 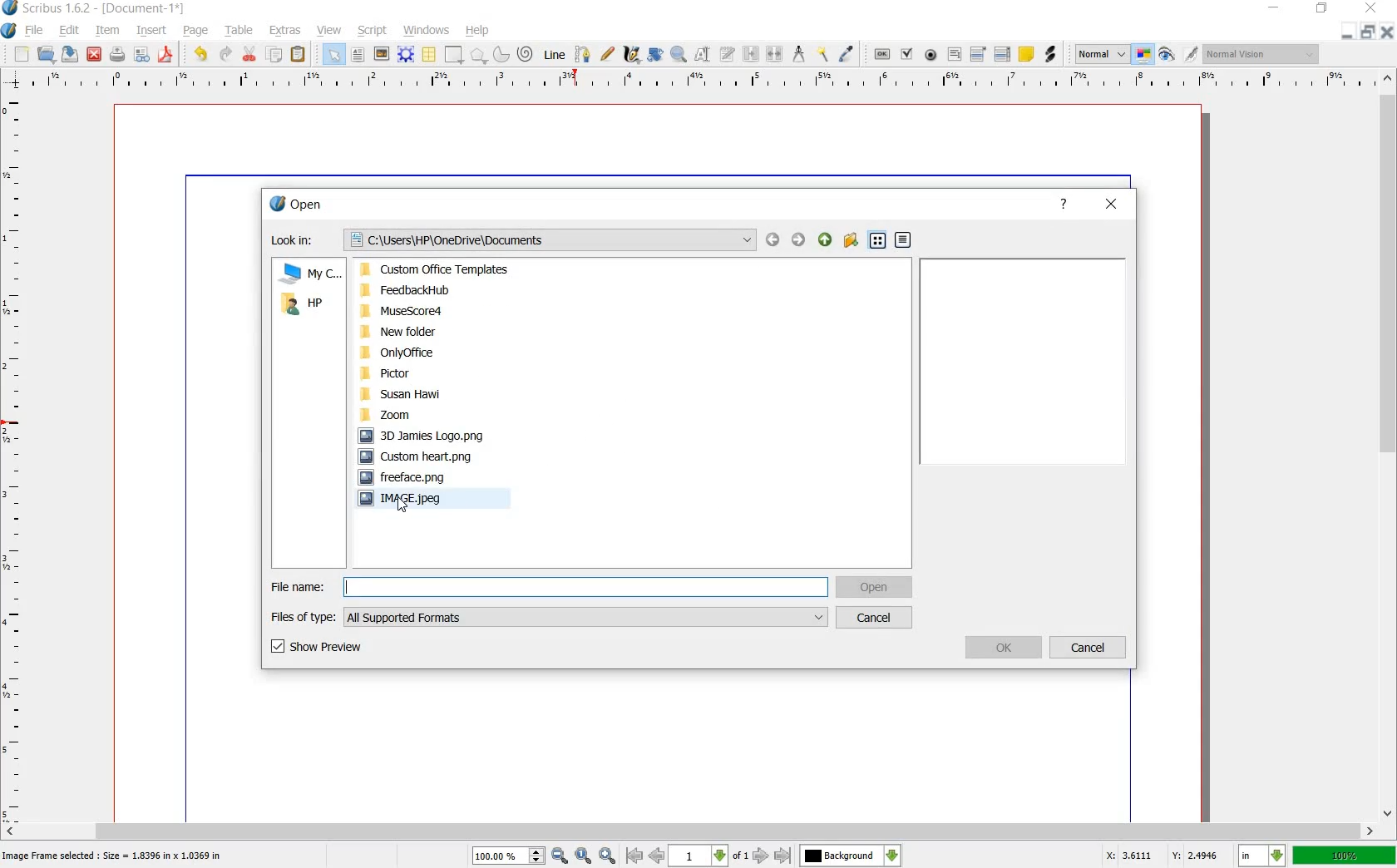 What do you see at coordinates (8, 31) in the screenshot?
I see `Application logo` at bounding box center [8, 31].